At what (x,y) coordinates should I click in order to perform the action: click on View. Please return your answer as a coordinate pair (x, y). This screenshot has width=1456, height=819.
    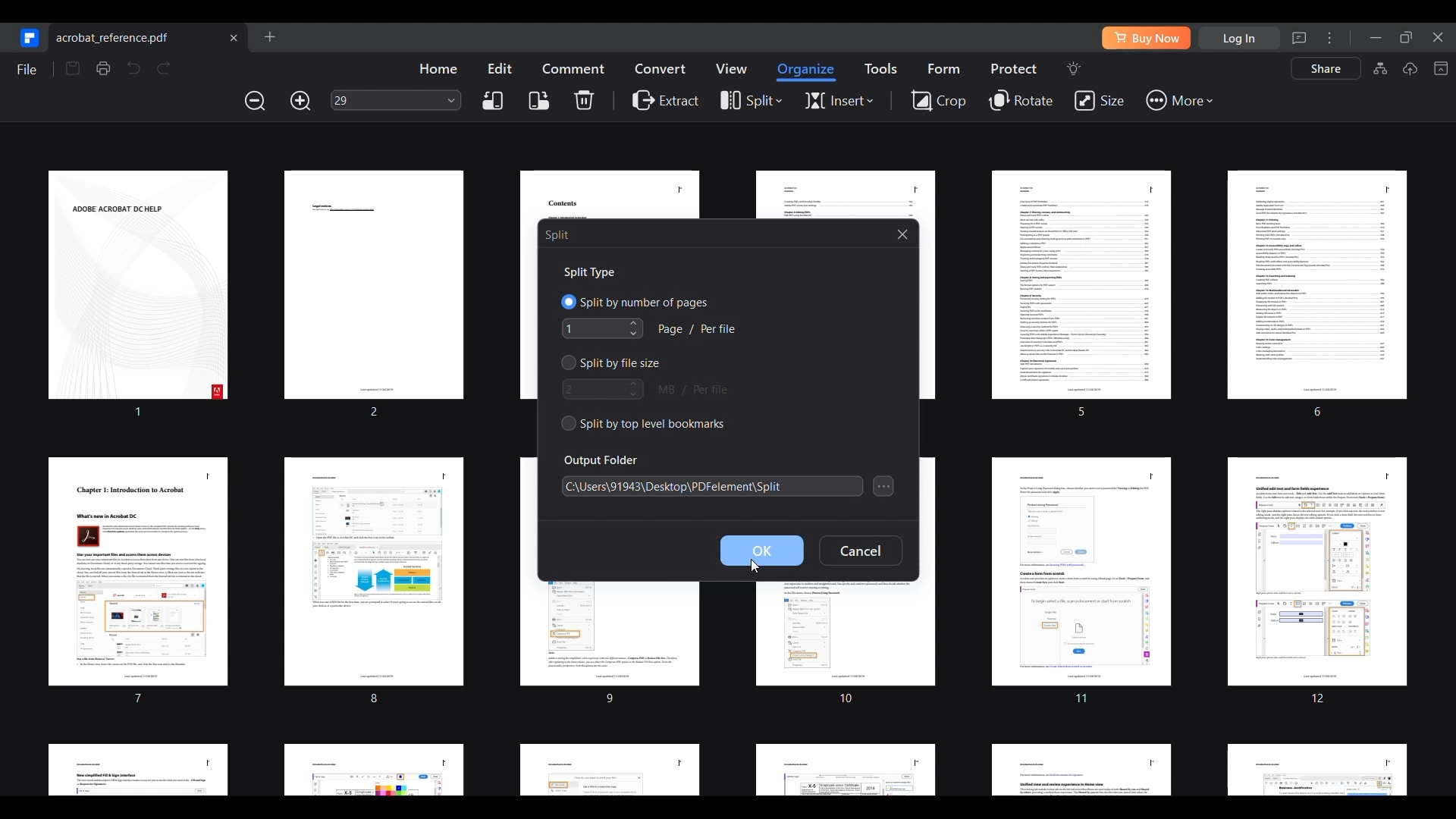
    Looking at the image, I should click on (730, 68).